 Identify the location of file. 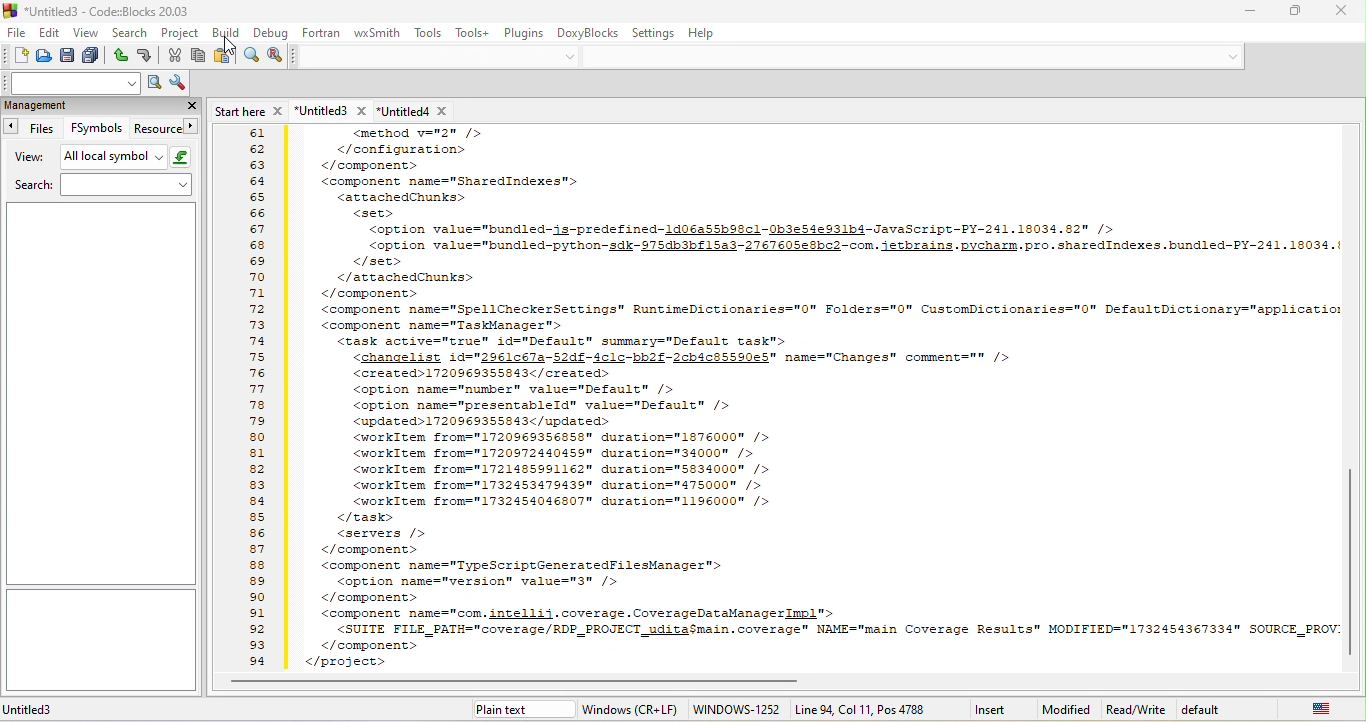
(14, 32).